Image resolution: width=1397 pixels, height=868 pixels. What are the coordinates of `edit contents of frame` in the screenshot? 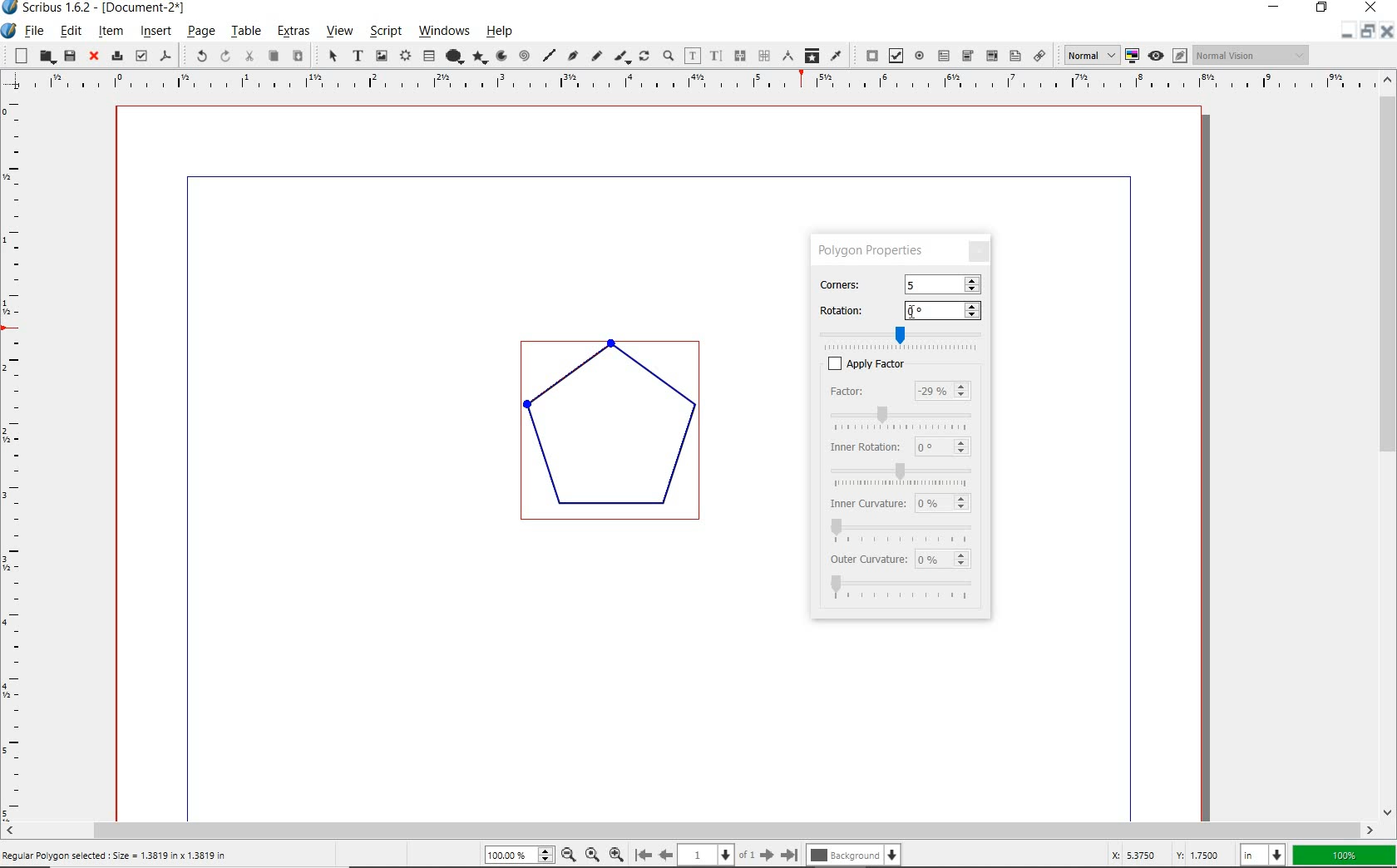 It's located at (693, 55).